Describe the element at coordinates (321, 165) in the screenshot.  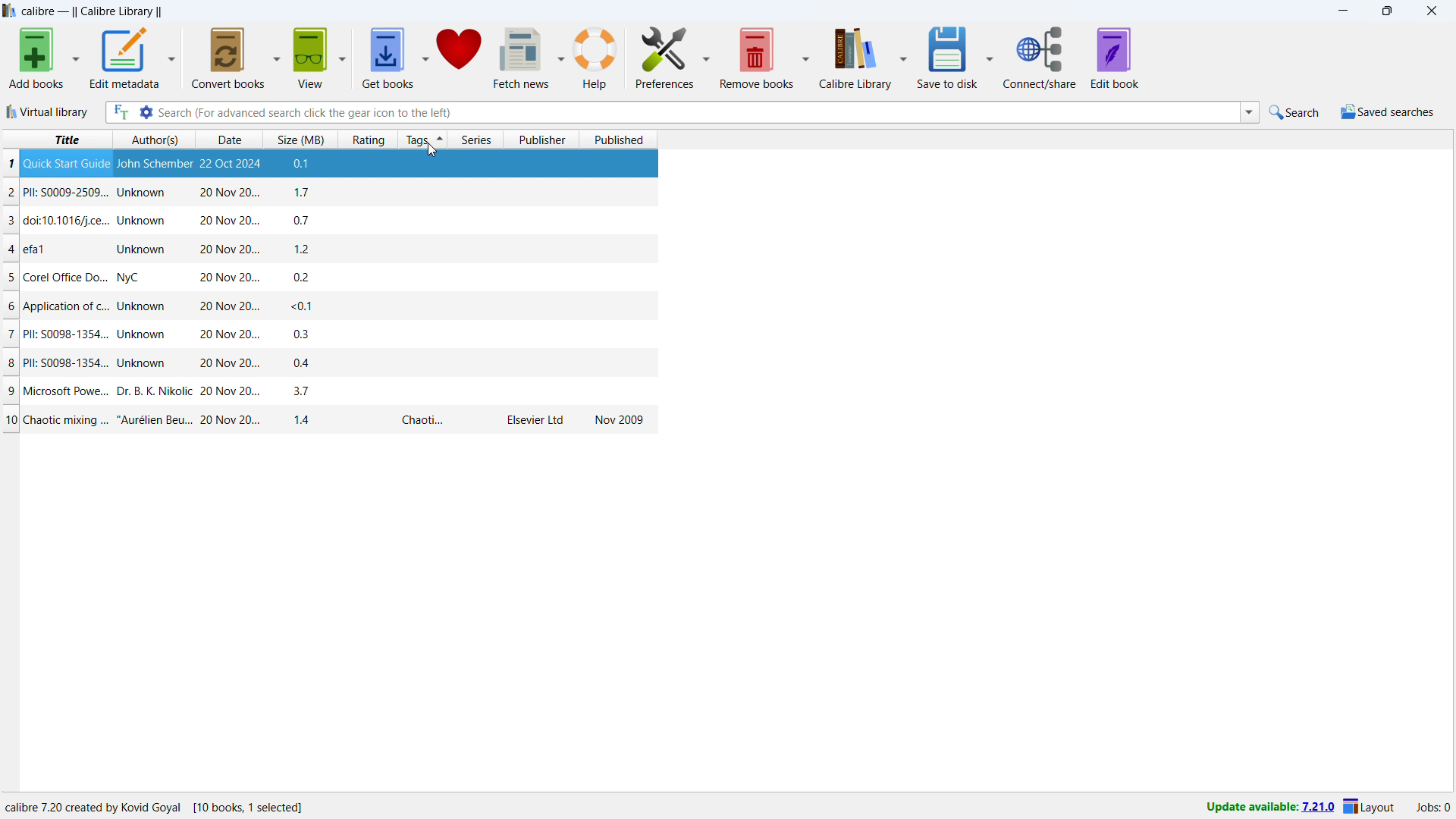
I see `one book entry` at that location.